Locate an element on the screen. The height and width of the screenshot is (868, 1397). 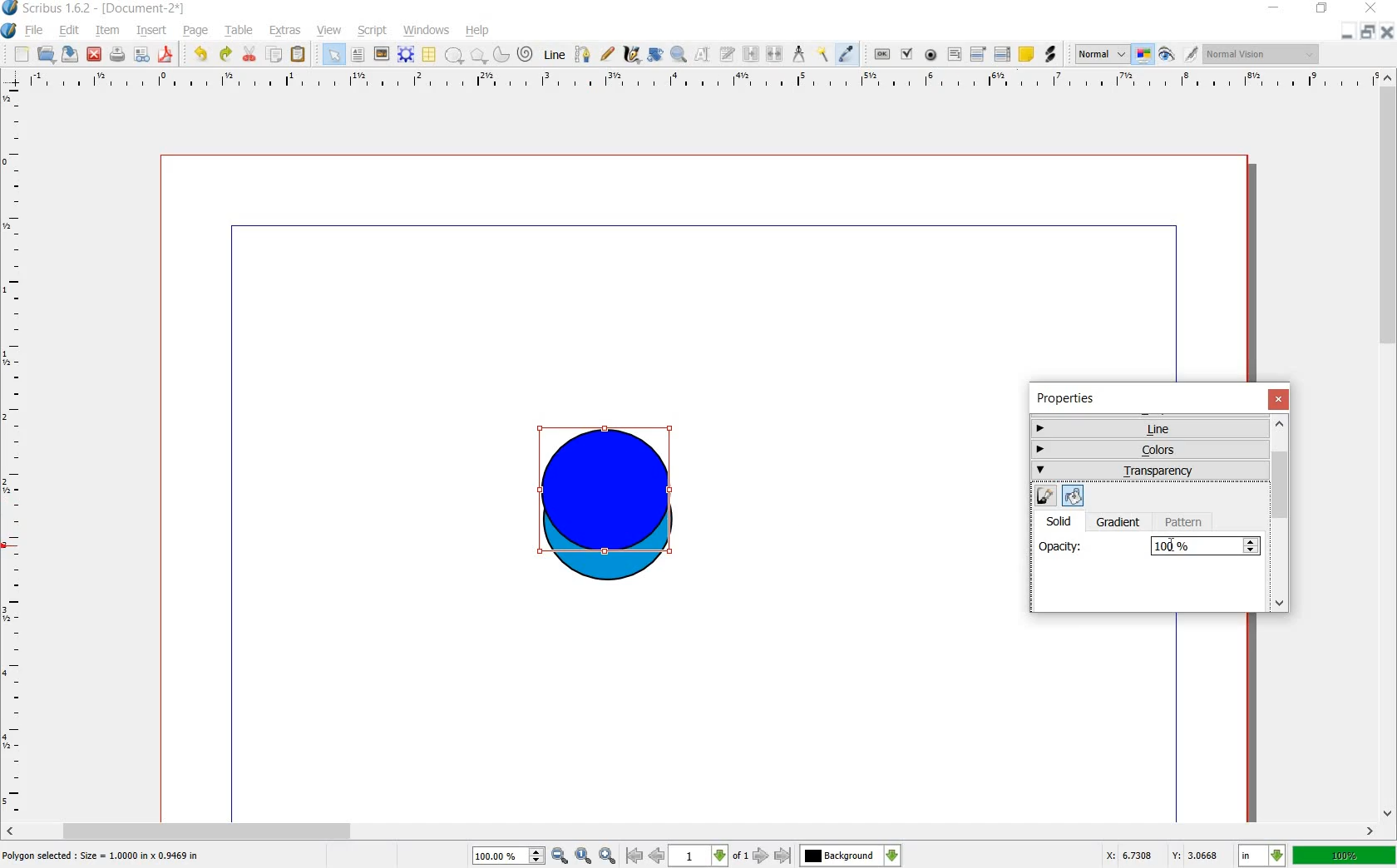
view is located at coordinates (328, 31).